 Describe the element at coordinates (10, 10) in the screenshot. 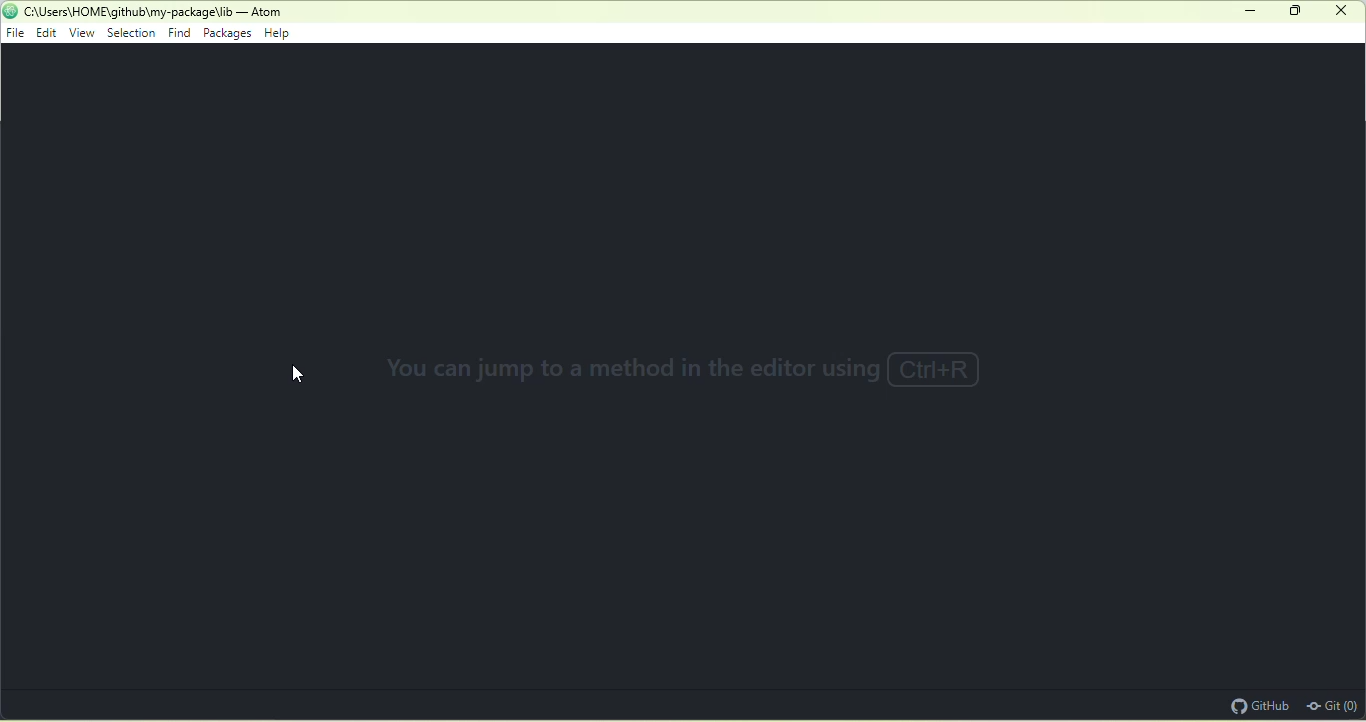

I see `icon` at that location.